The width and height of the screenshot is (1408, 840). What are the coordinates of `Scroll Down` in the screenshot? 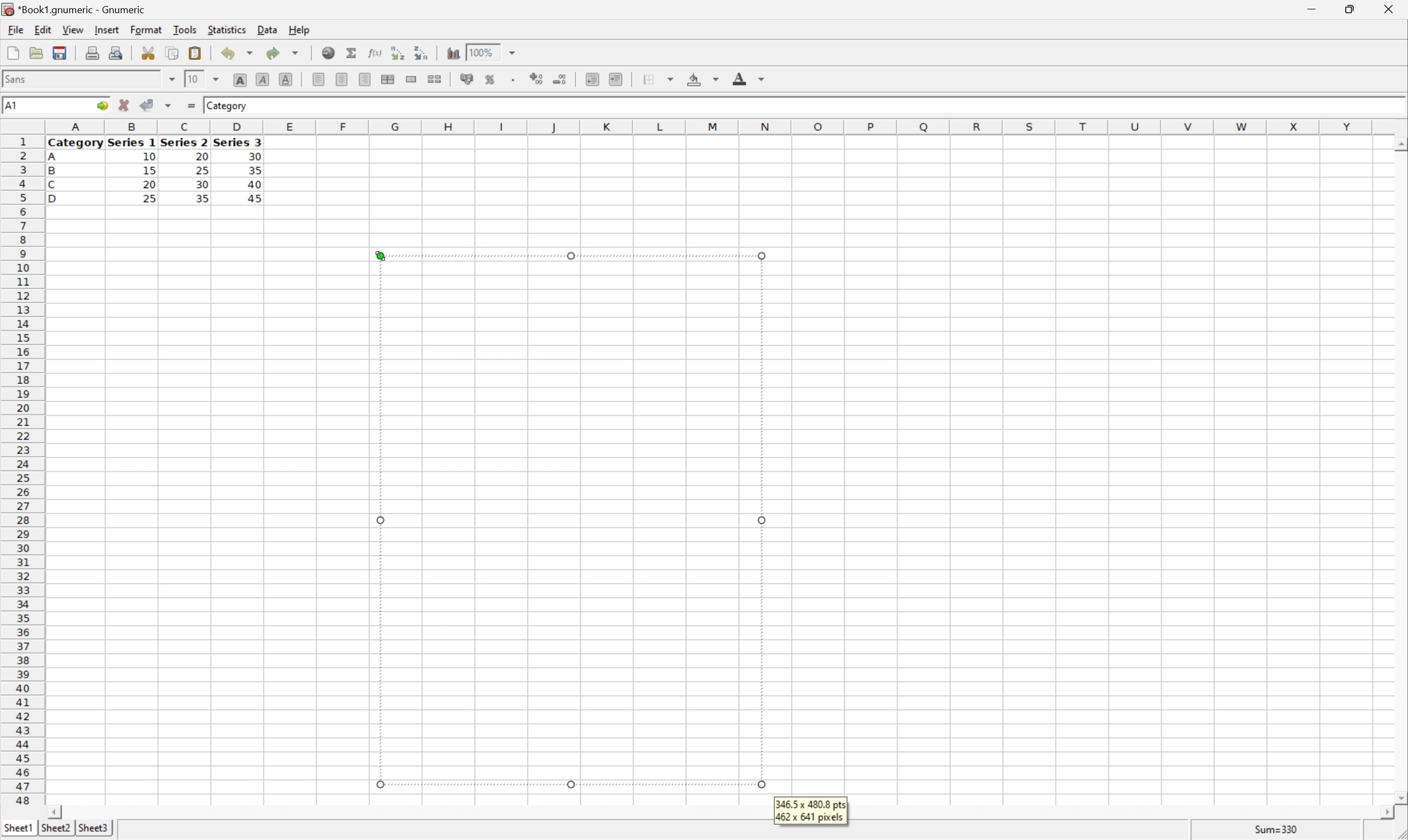 It's located at (1399, 799).